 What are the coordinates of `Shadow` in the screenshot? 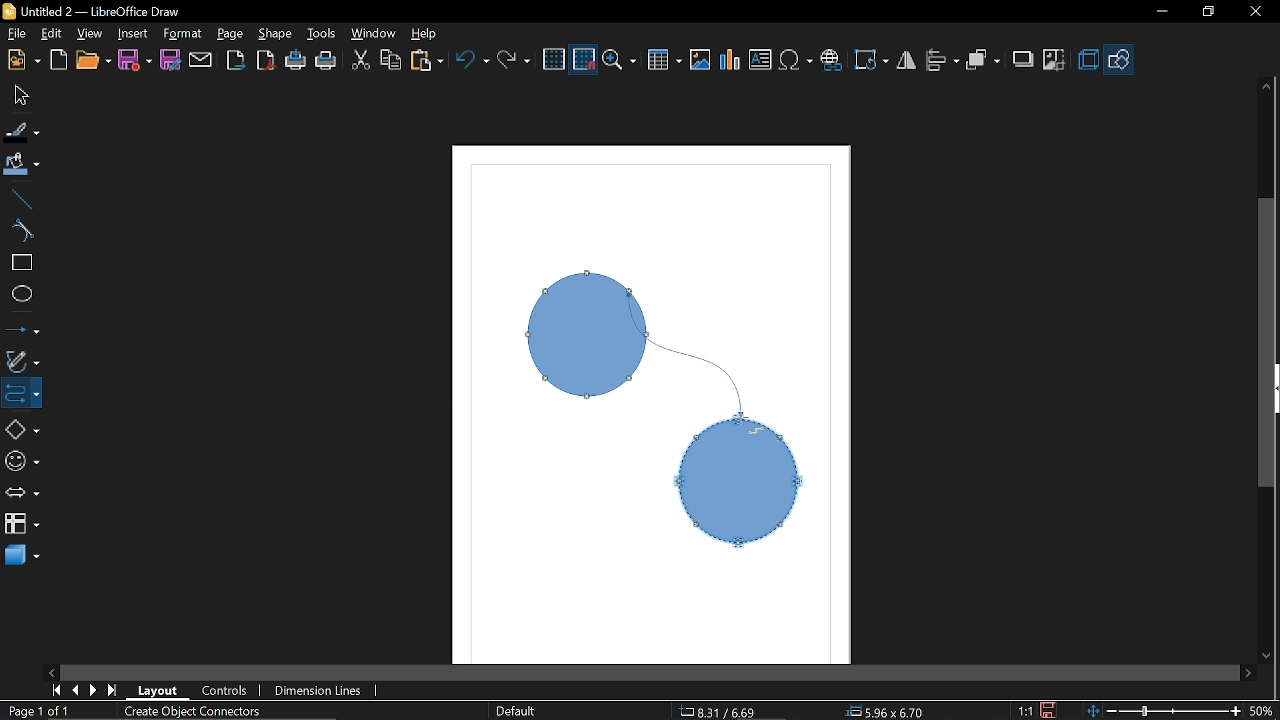 It's located at (1022, 60).